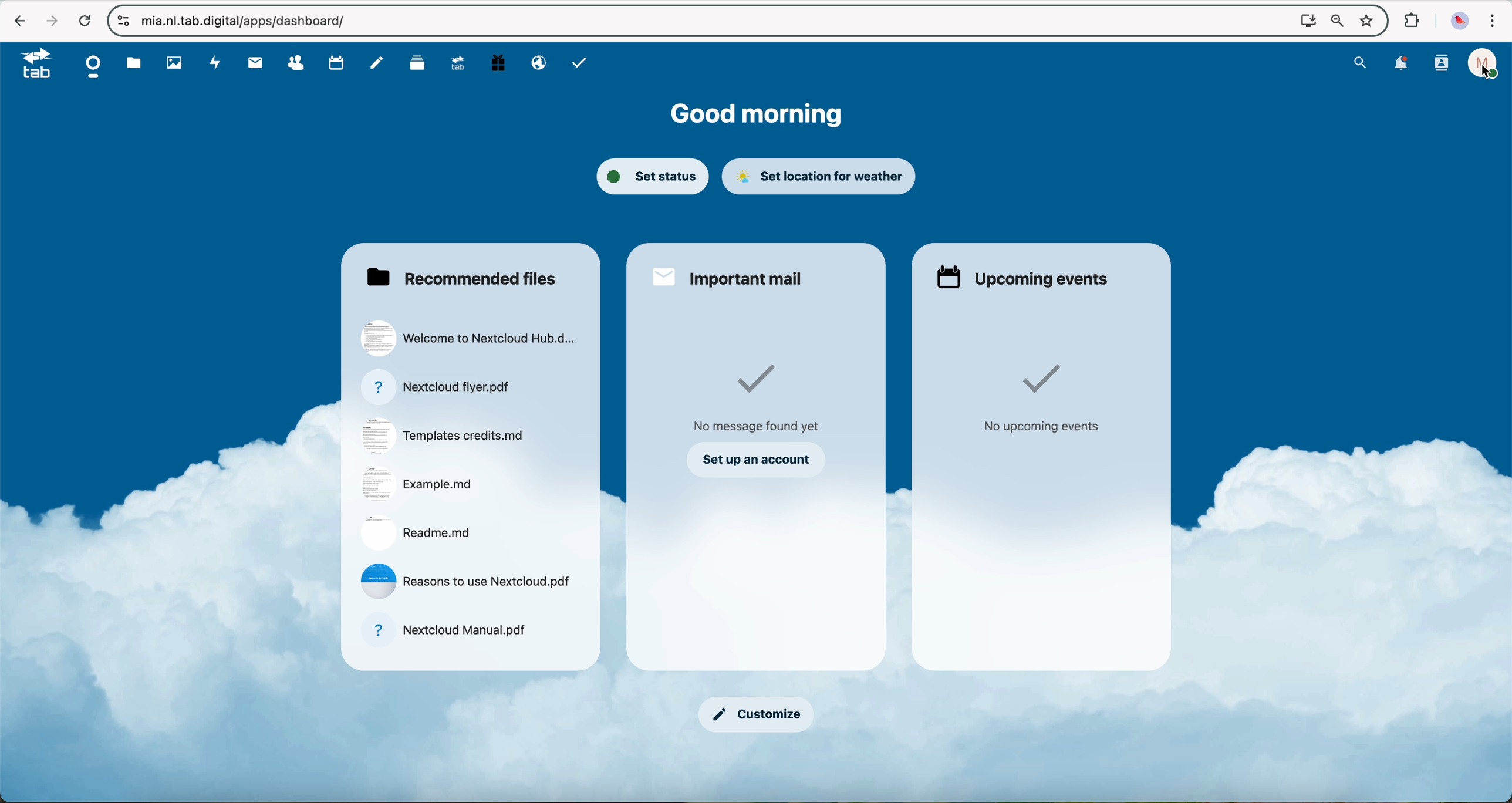 This screenshot has width=1512, height=803. I want to click on search, so click(1362, 62).